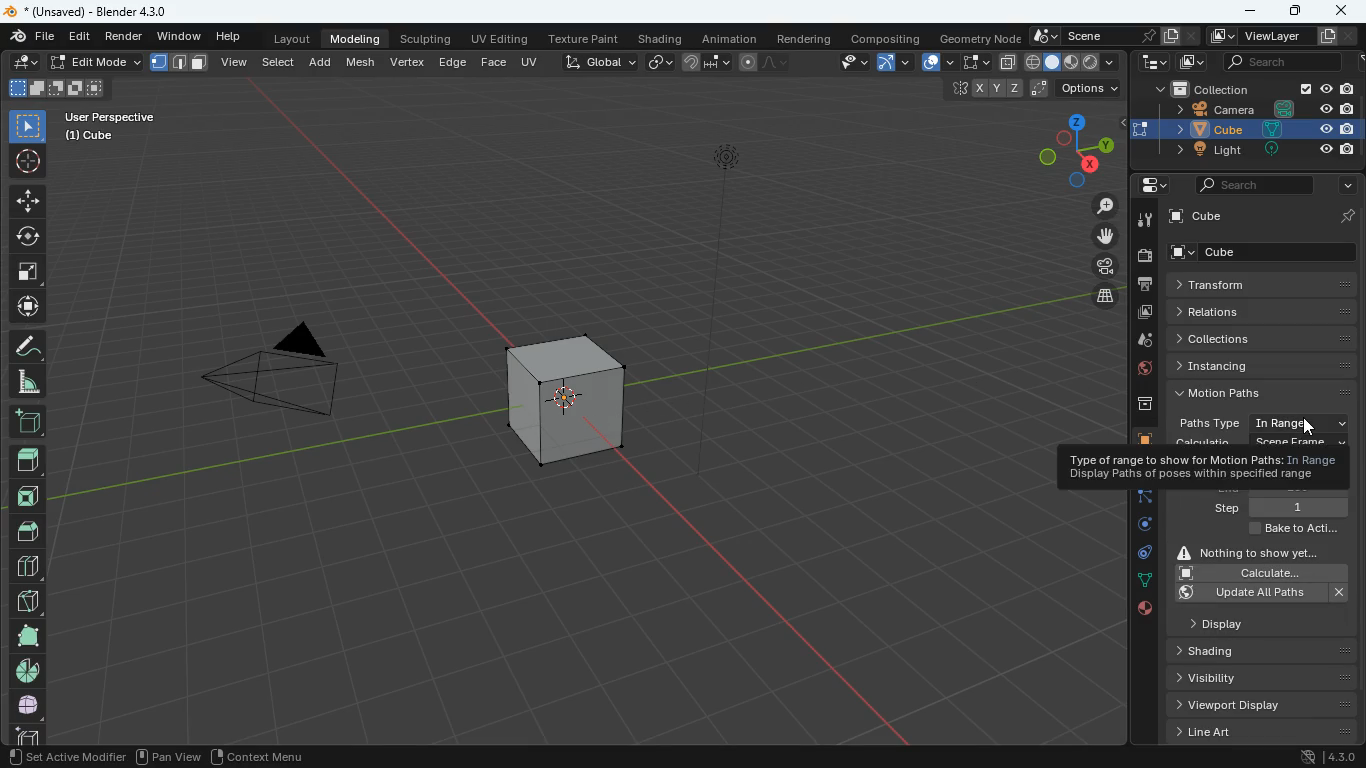 The width and height of the screenshot is (1366, 768). What do you see at coordinates (280, 60) in the screenshot?
I see `select` at bounding box center [280, 60].